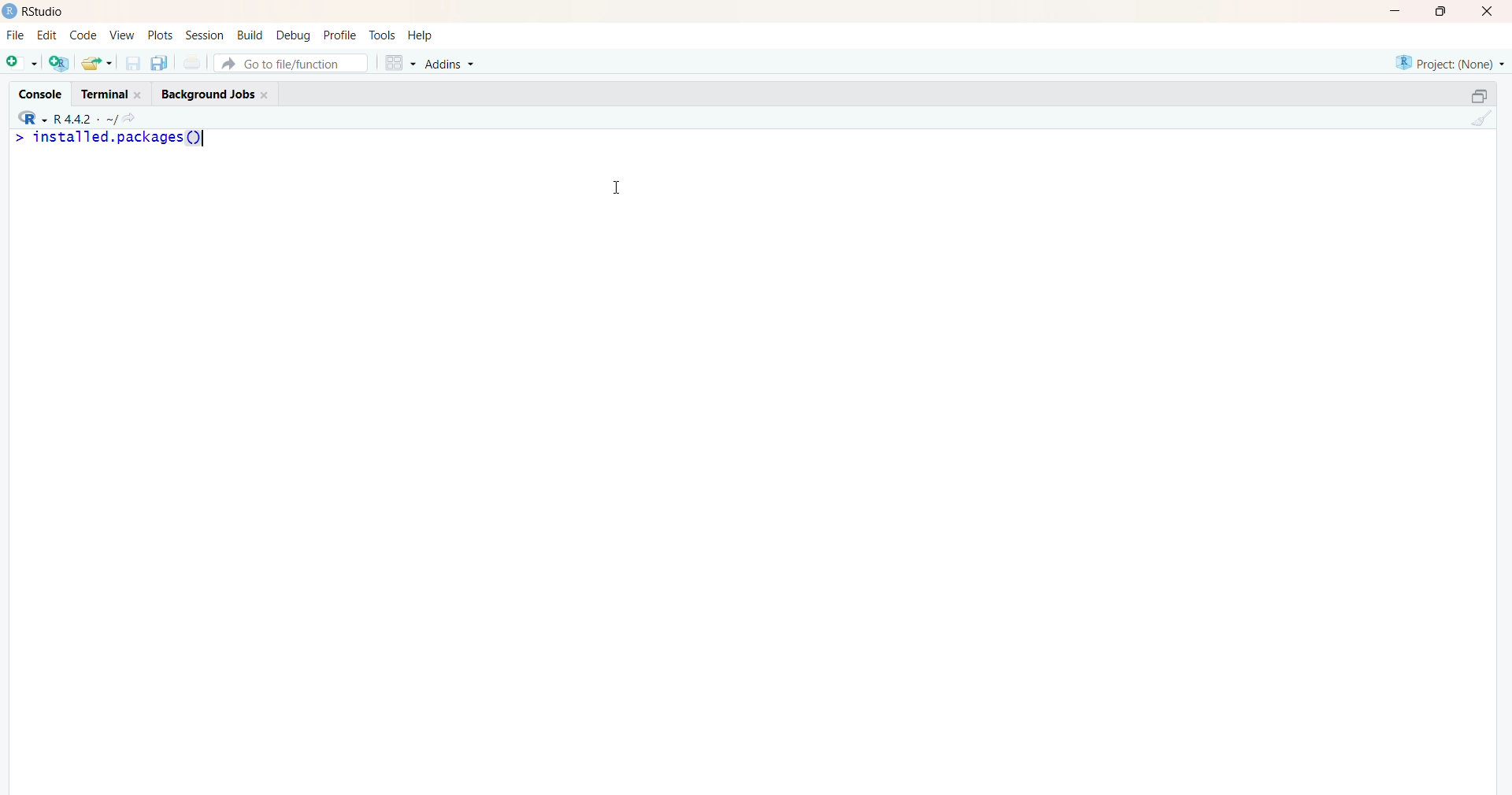 This screenshot has height=795, width=1512. I want to click on >console log, so click(180, 166).